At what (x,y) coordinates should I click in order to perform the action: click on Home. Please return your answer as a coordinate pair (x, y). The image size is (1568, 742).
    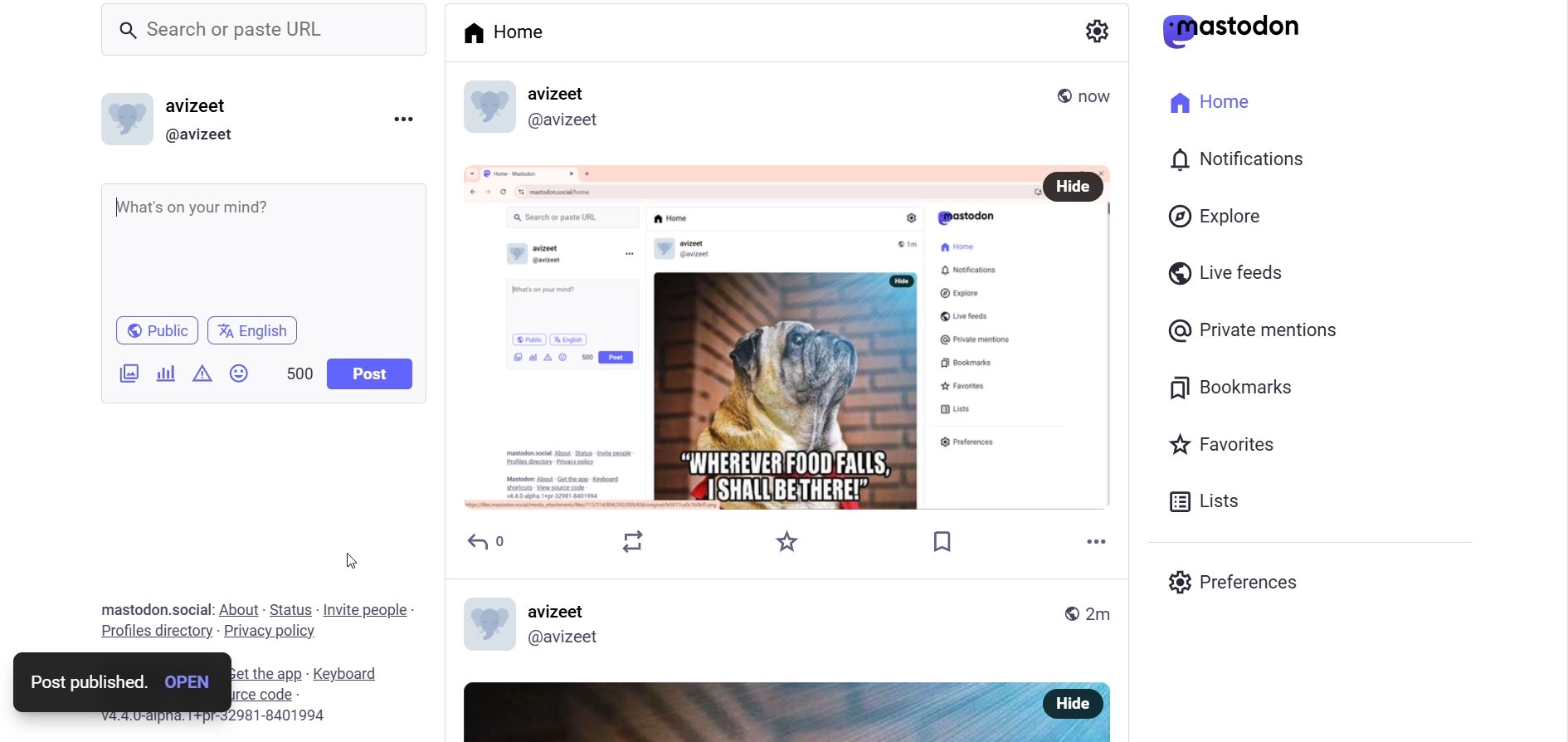
    Looking at the image, I should click on (515, 32).